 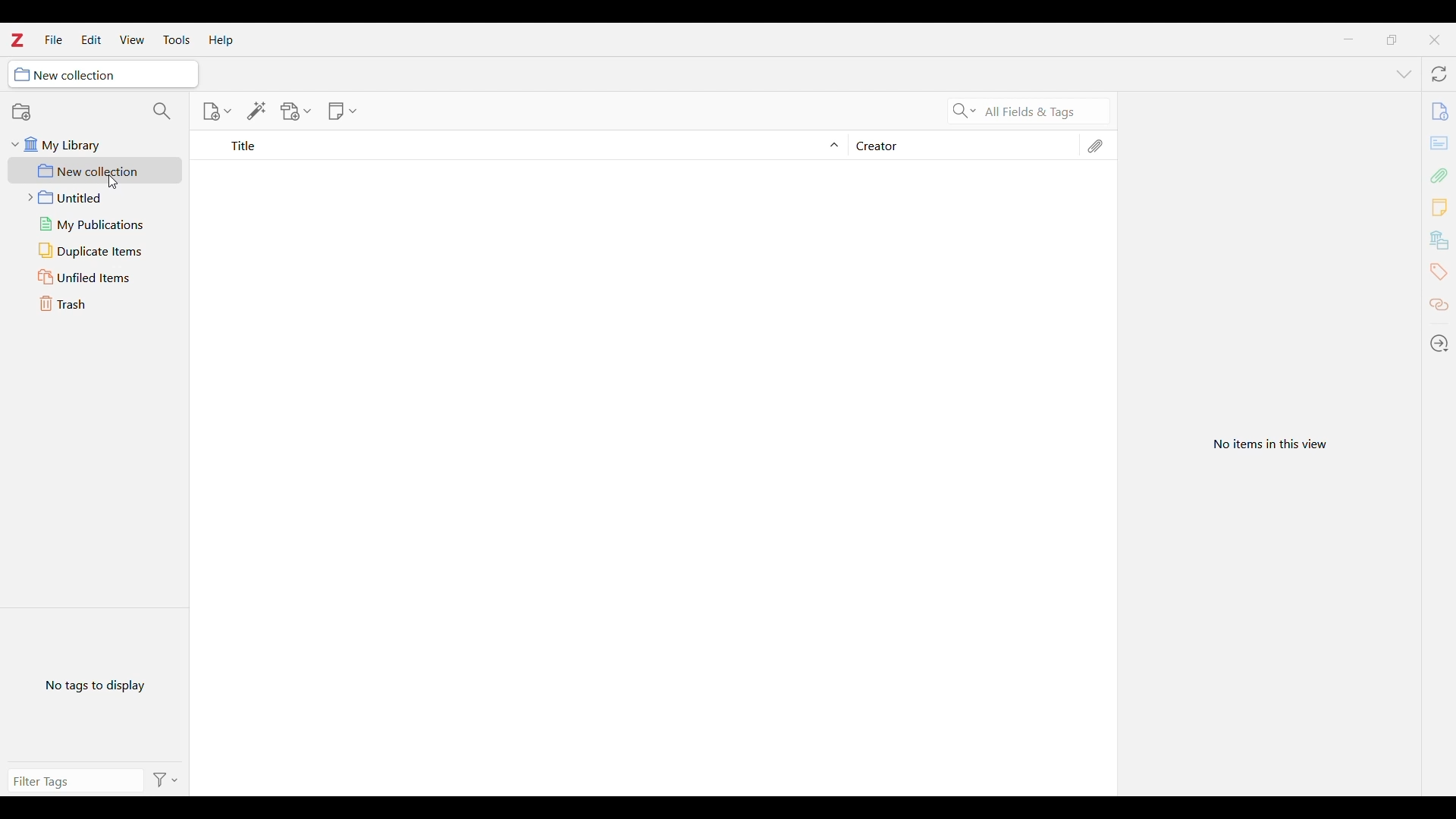 What do you see at coordinates (102, 74) in the screenshot?
I see `Current collection` at bounding box center [102, 74].